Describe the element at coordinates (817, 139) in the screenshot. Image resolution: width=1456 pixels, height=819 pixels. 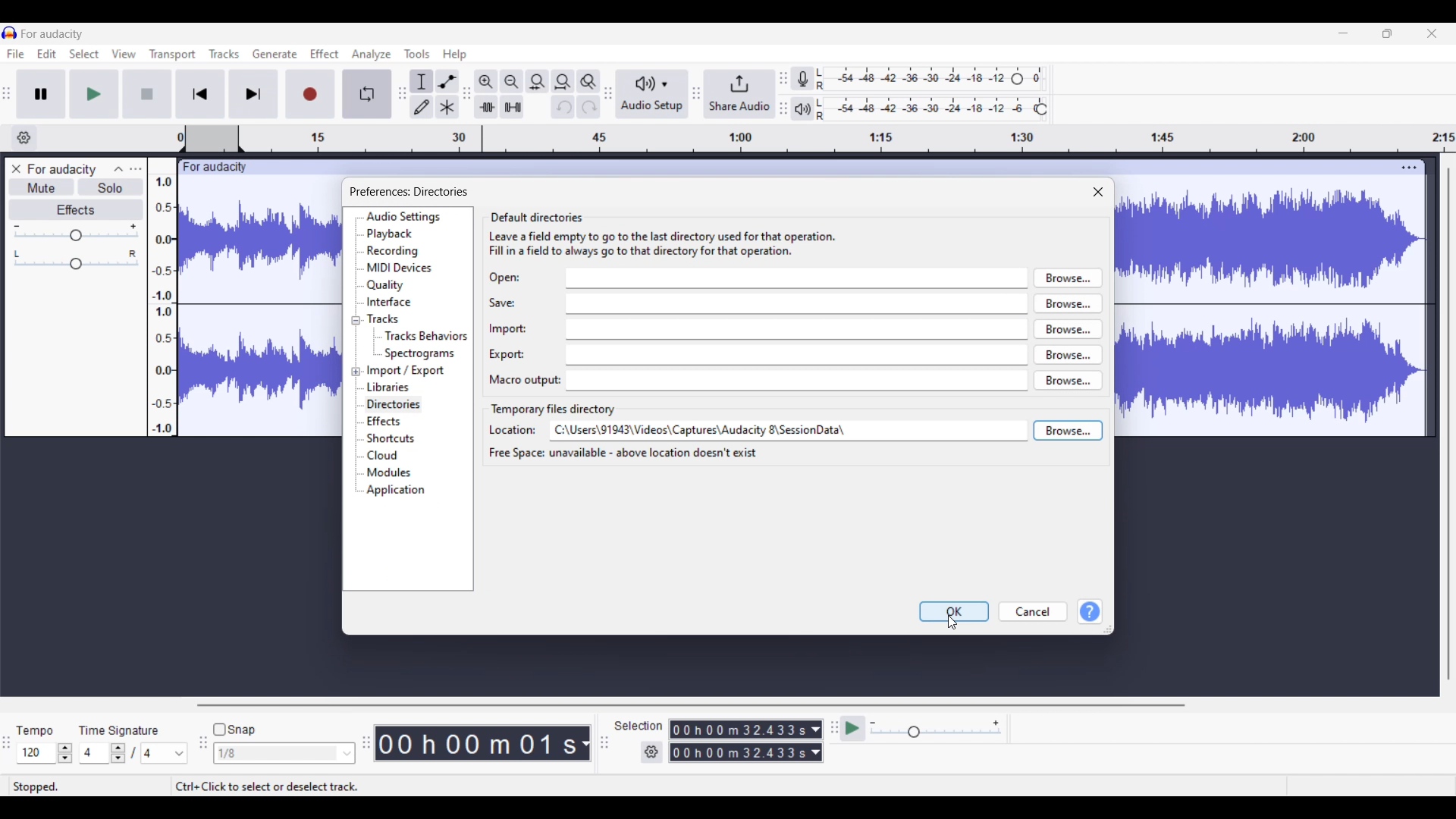
I see `timestamp` at that location.